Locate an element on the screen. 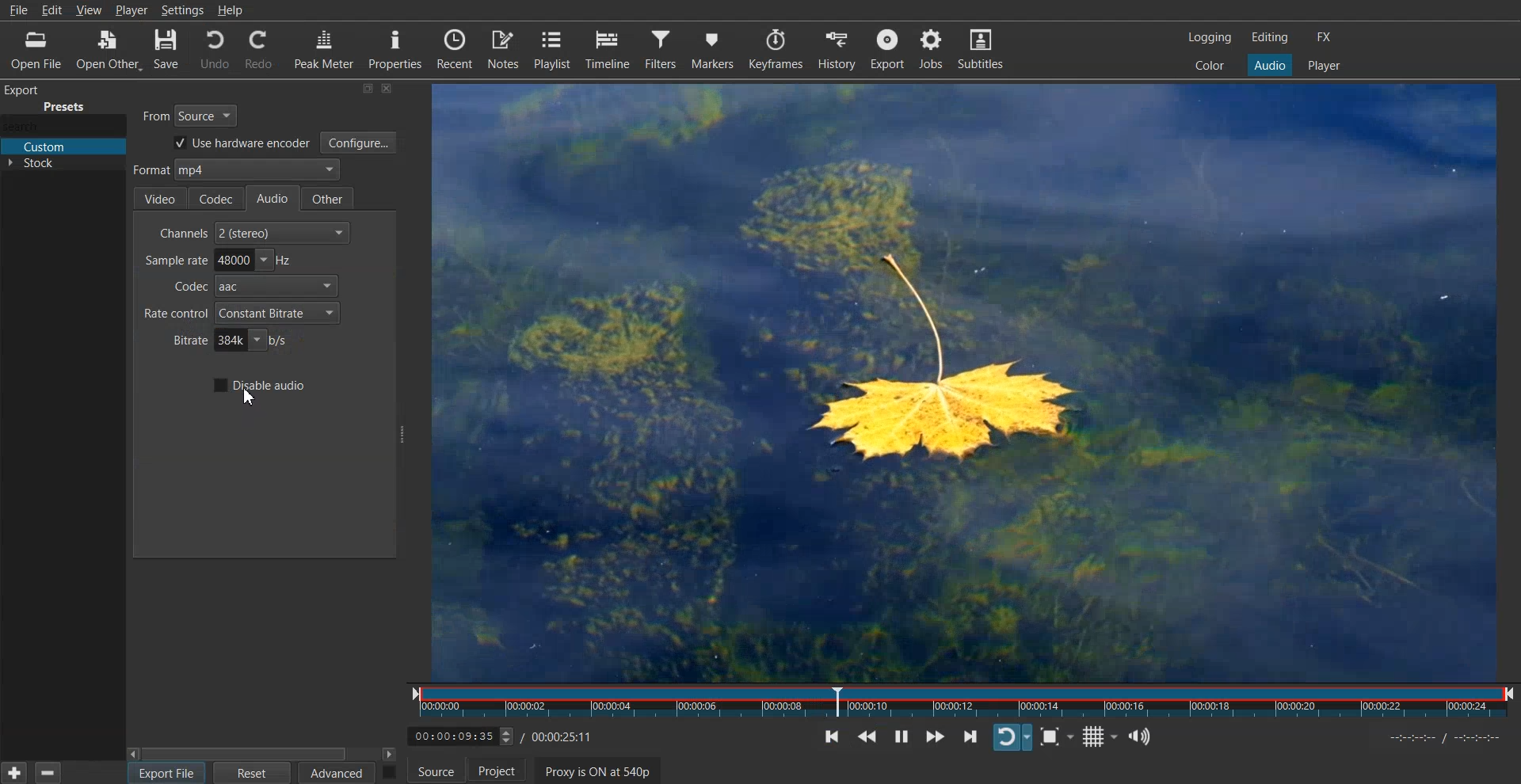 Image resolution: width=1521 pixels, height=784 pixels. Source is located at coordinates (435, 773).